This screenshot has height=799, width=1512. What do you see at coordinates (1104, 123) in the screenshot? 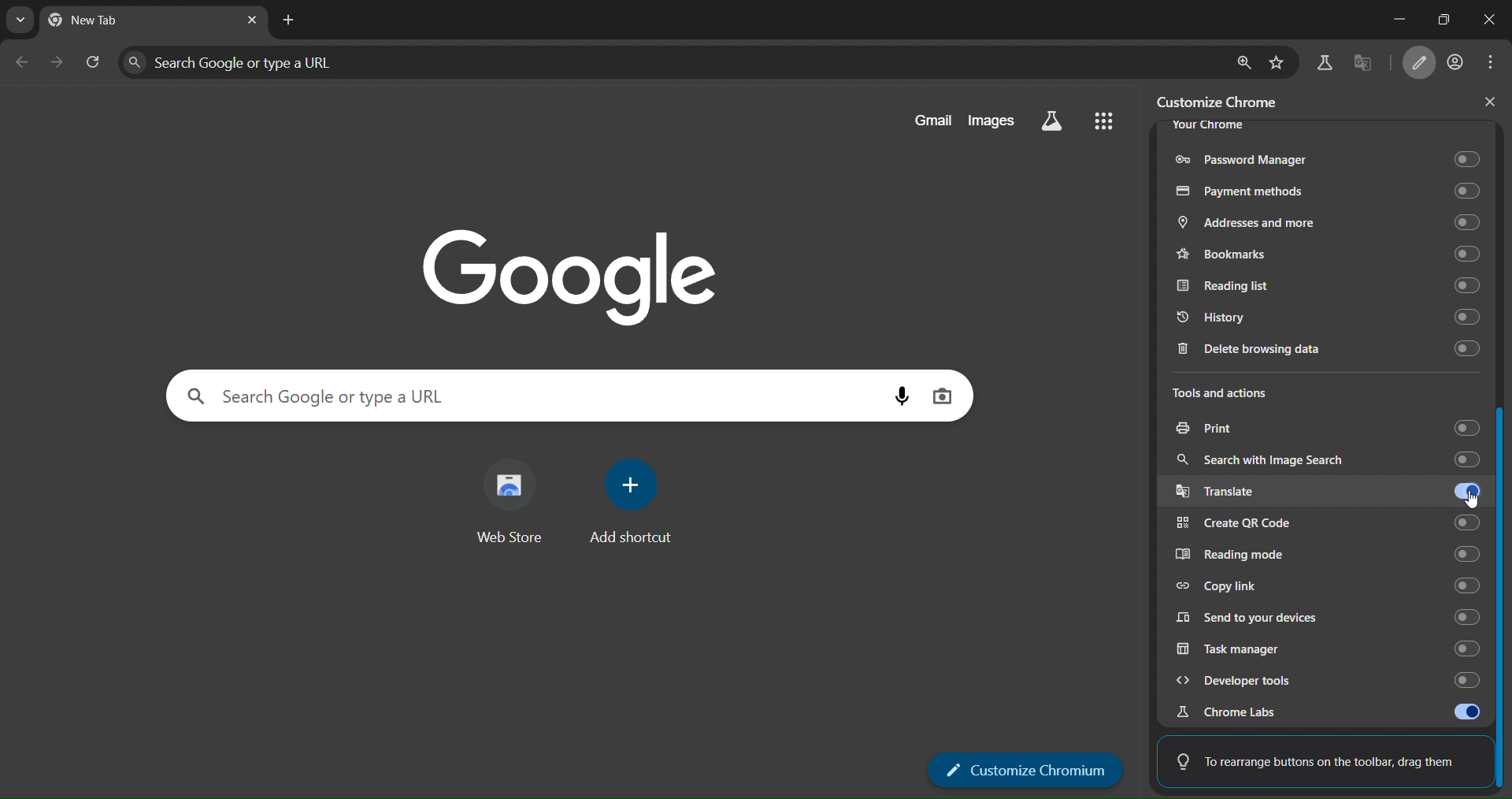
I see `menu` at bounding box center [1104, 123].